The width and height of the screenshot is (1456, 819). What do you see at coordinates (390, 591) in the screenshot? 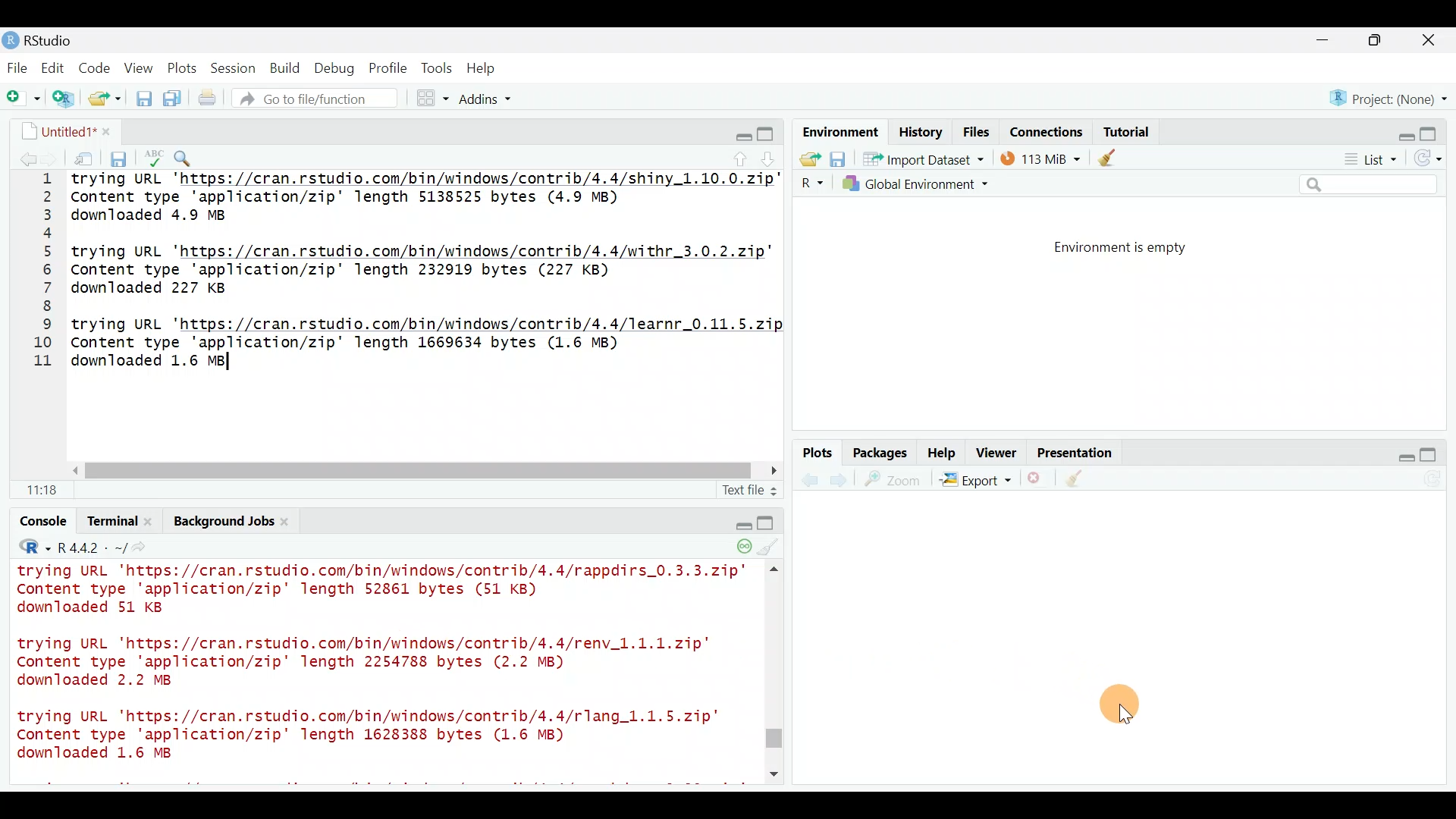
I see `trying URL 'https://cran.rstudio.com/bin/windows/contrib/4.4/rappdirs_0.3.3.zip"
Content type 'application/zip' length 52861 bytes (51 KB)
downloaded 51 KB` at bounding box center [390, 591].